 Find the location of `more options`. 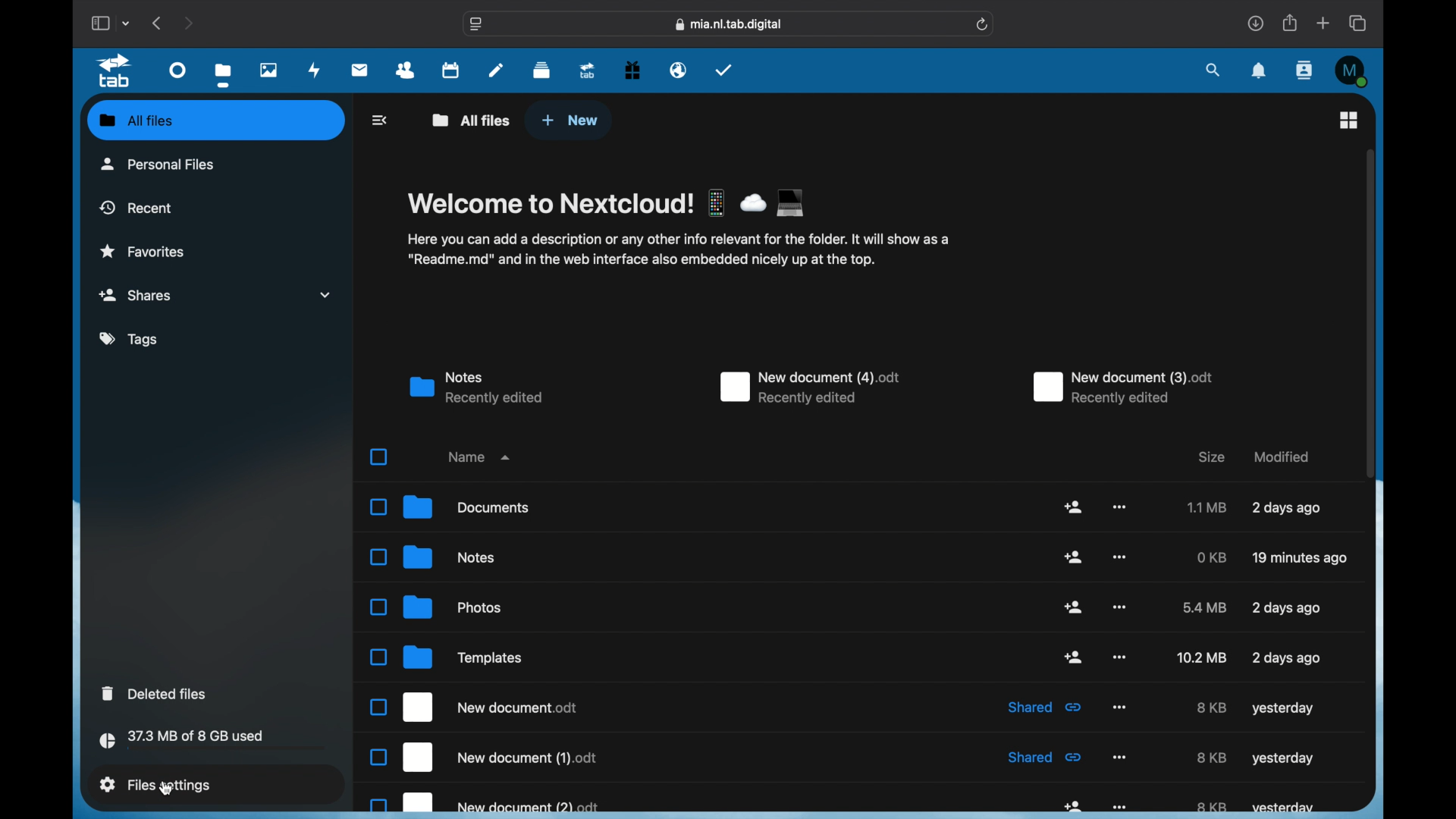

more options is located at coordinates (1121, 557).